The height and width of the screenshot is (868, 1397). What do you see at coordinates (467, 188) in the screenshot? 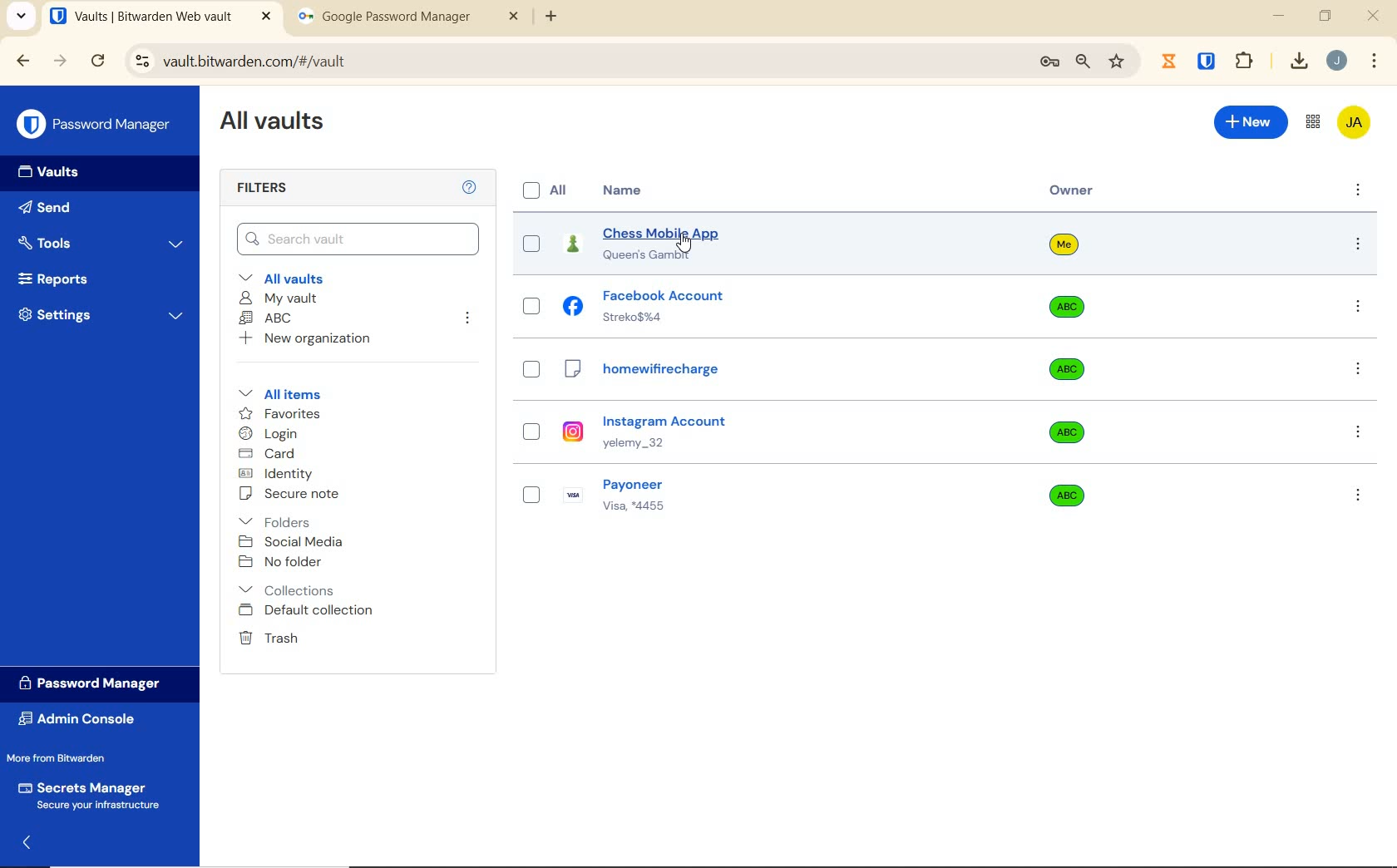
I see `Help` at bounding box center [467, 188].